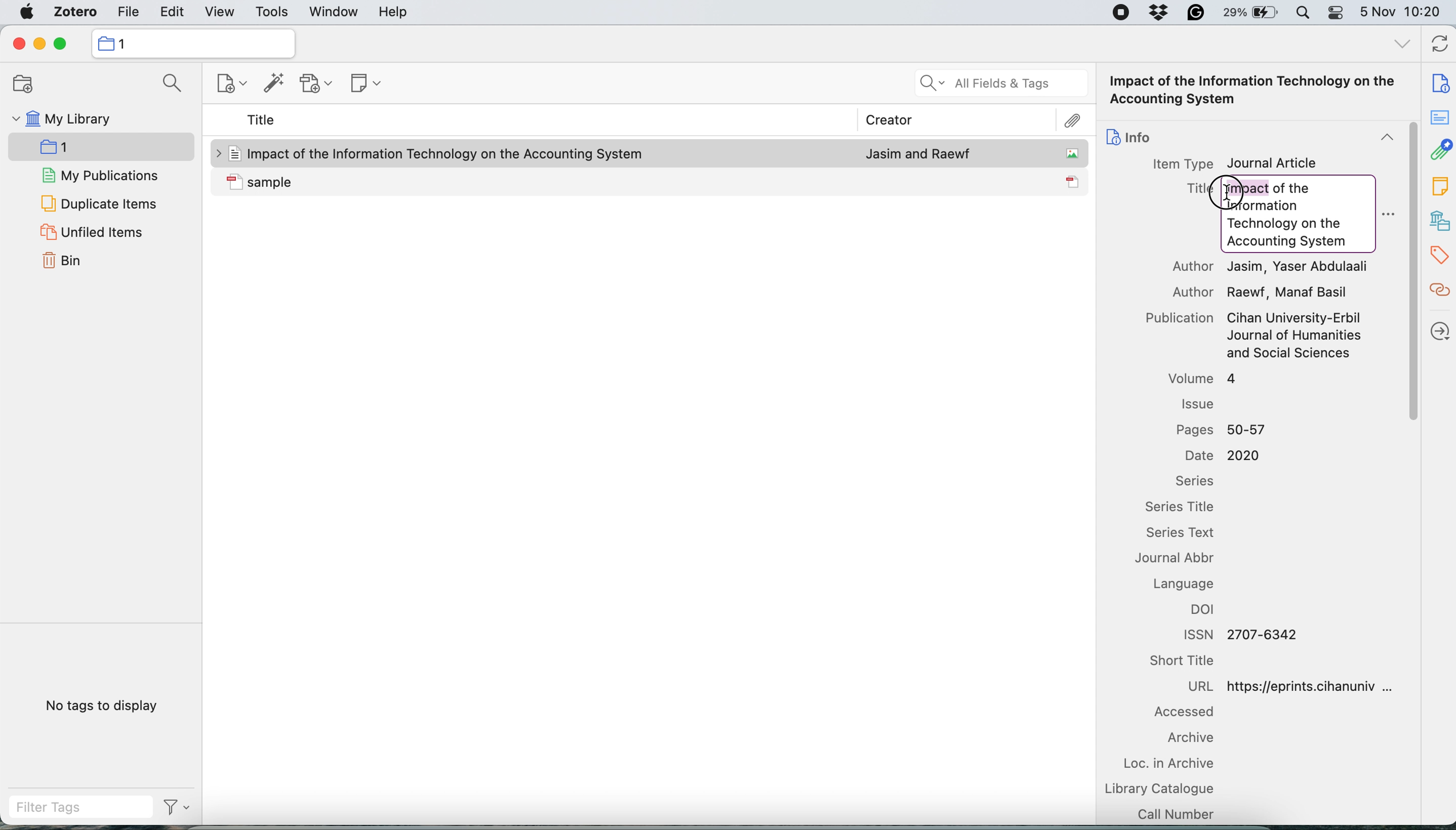 This screenshot has width=1456, height=830. Describe the element at coordinates (1401, 12) in the screenshot. I see `5 Nov 10:20` at that location.